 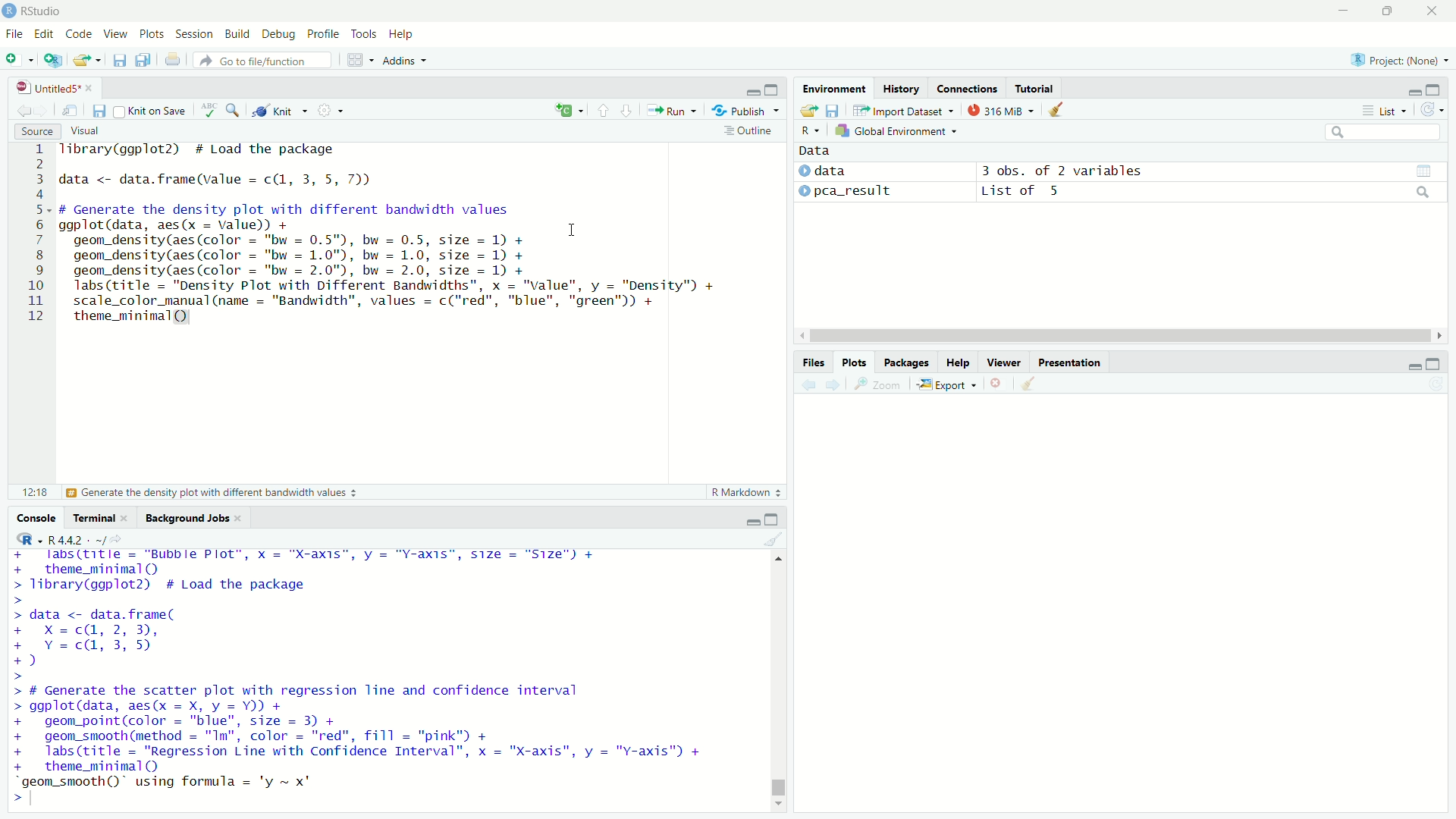 I want to click on Line numbers, so click(x=32, y=235).